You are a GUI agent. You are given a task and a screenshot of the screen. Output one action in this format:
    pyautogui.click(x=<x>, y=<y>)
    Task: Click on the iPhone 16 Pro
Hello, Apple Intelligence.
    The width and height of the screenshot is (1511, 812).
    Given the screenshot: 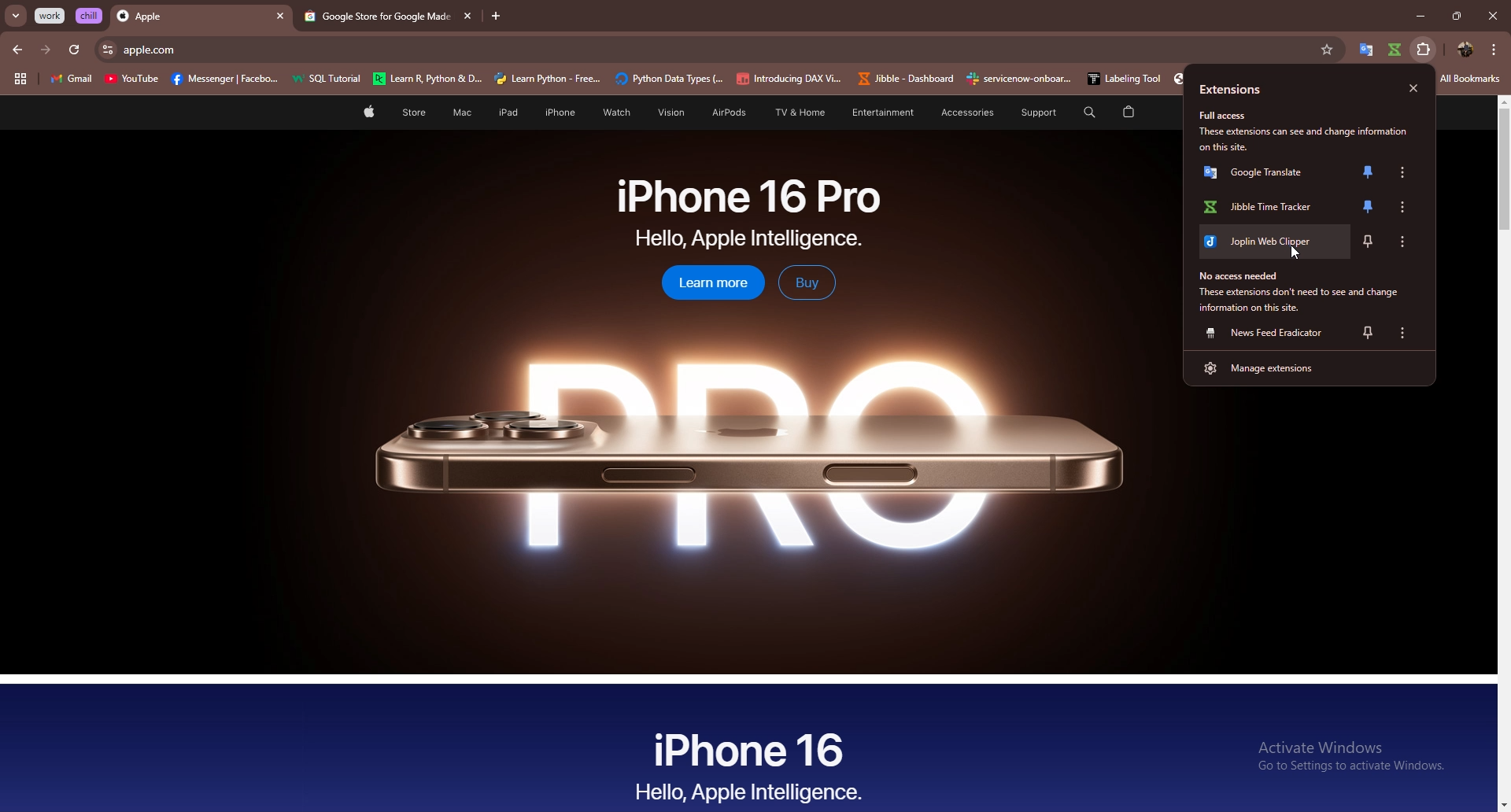 What is the action you would take?
    pyautogui.click(x=749, y=213)
    